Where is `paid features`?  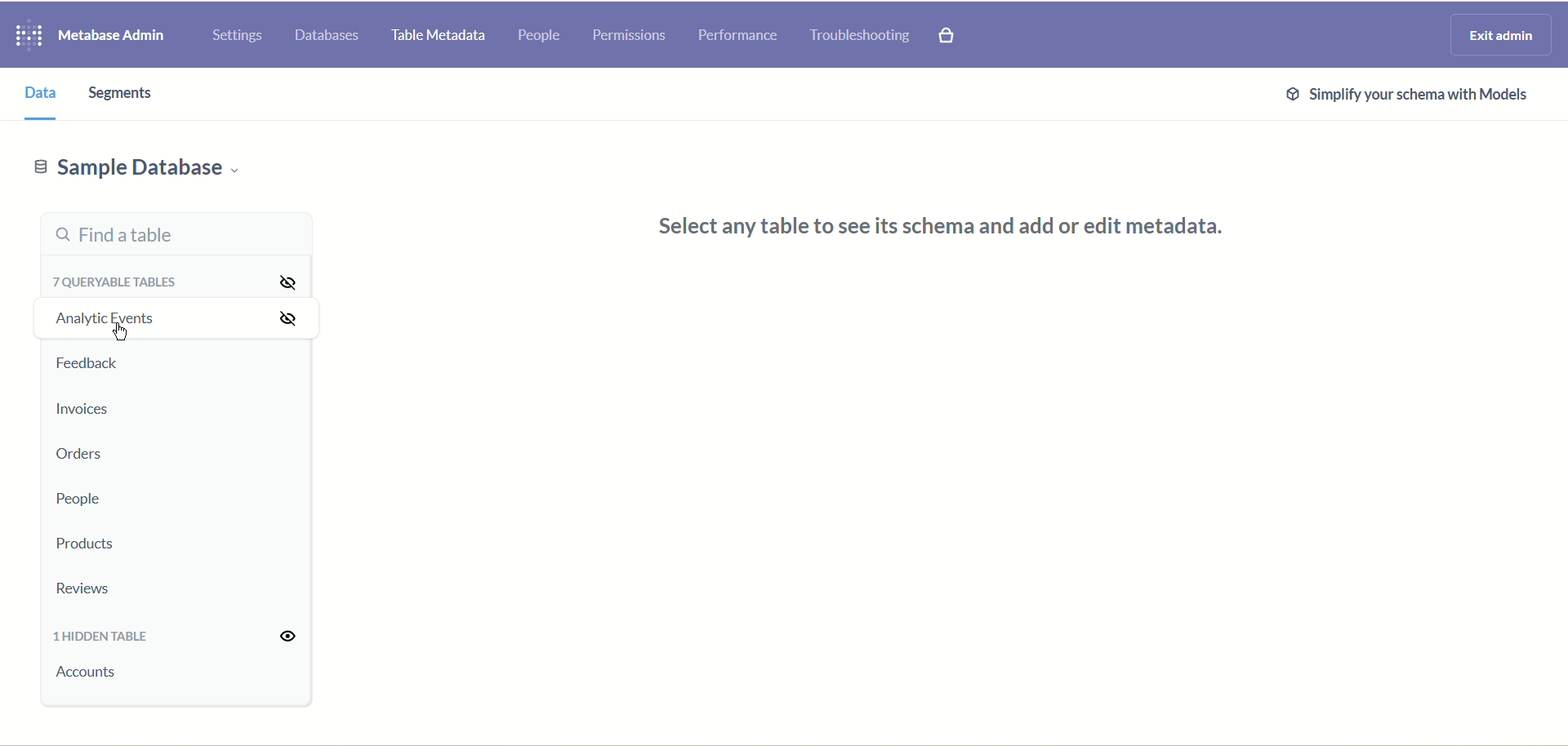 paid features is located at coordinates (948, 37).